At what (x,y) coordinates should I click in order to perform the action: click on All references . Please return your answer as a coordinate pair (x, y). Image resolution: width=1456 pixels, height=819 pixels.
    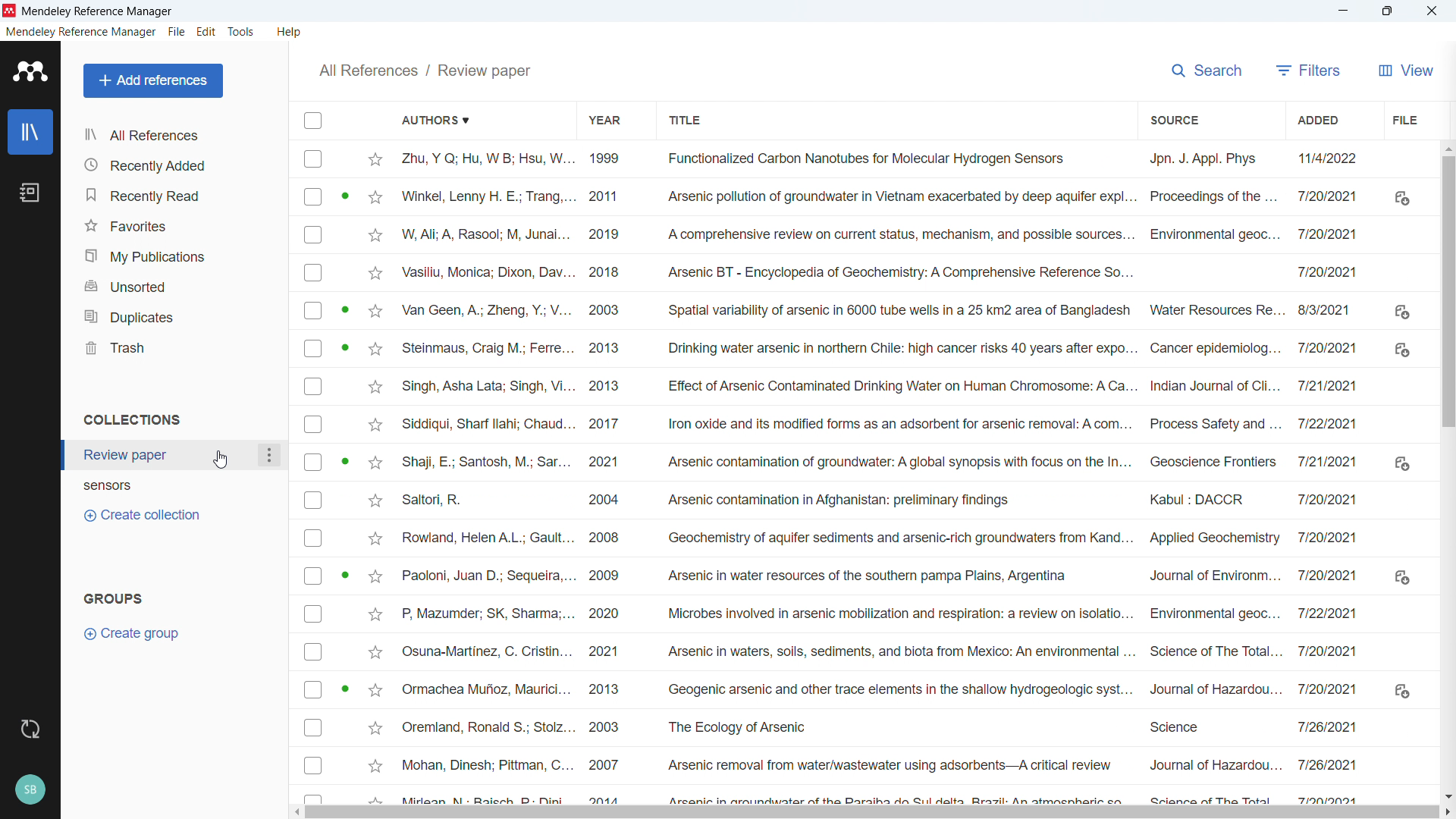
    Looking at the image, I should click on (177, 134).